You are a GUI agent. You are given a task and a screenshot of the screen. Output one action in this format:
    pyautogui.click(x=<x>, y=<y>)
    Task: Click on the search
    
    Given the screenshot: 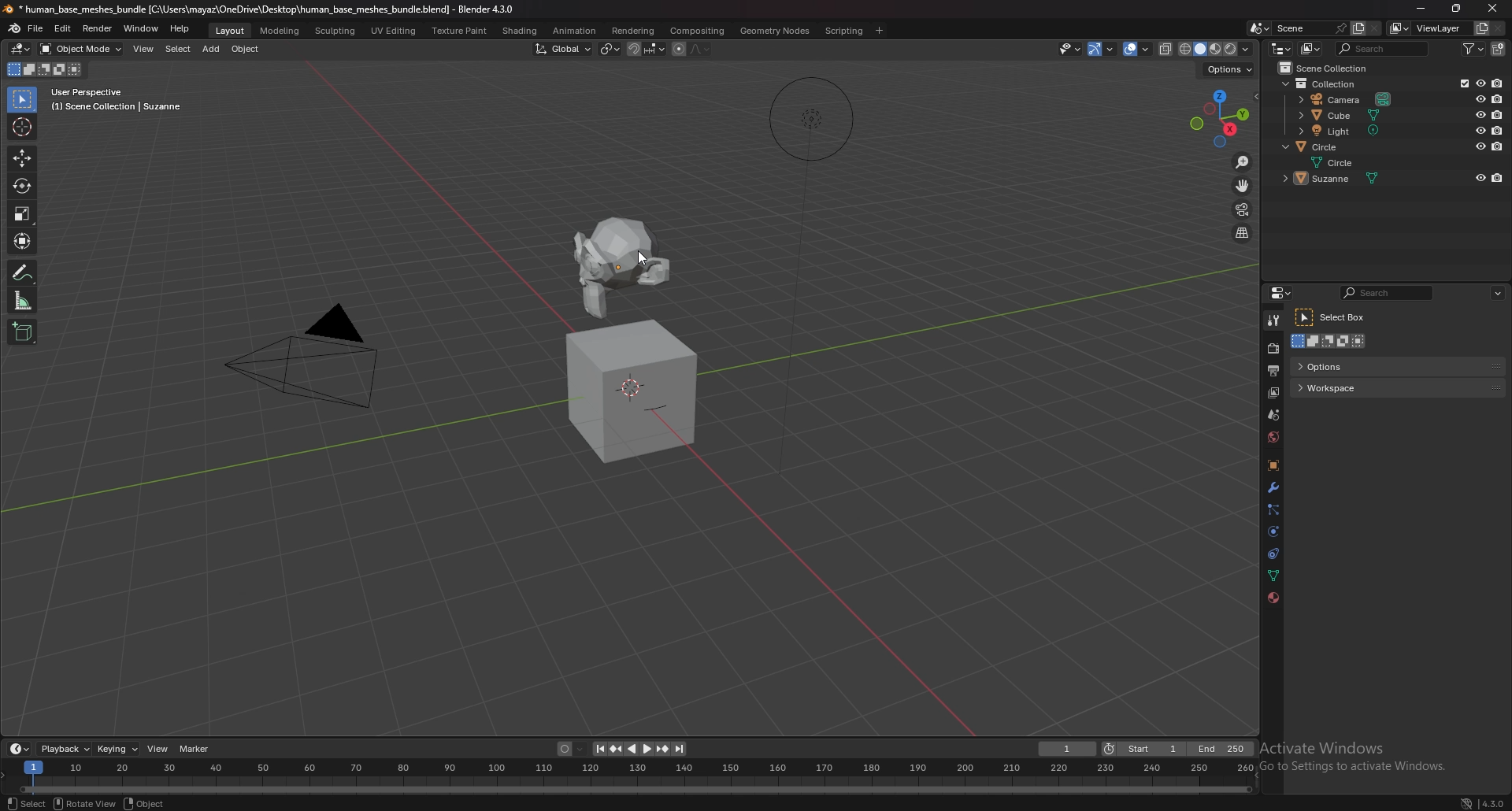 What is the action you would take?
    pyautogui.click(x=1388, y=293)
    